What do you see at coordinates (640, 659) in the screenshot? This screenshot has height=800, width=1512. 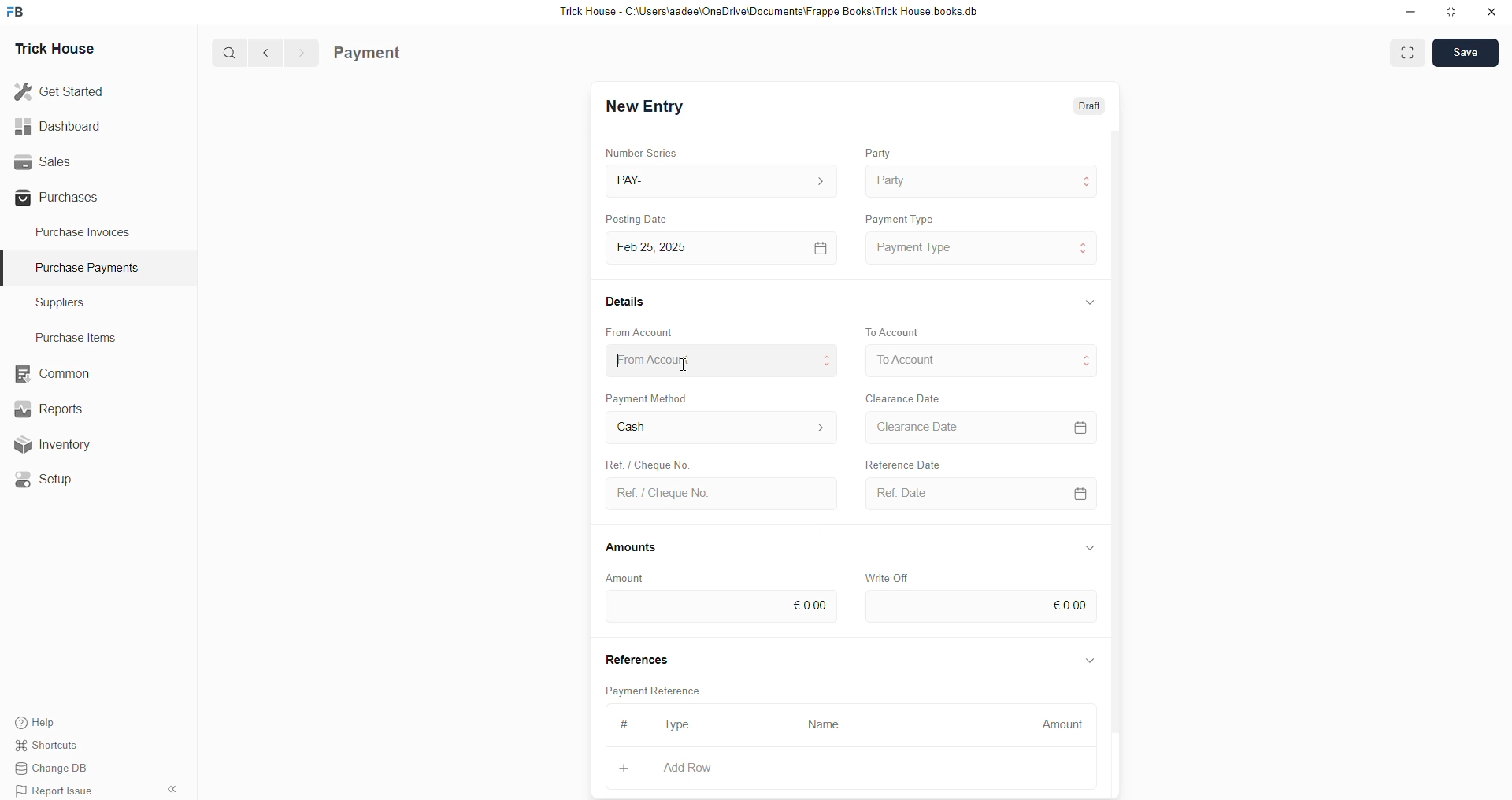 I see `References` at bounding box center [640, 659].